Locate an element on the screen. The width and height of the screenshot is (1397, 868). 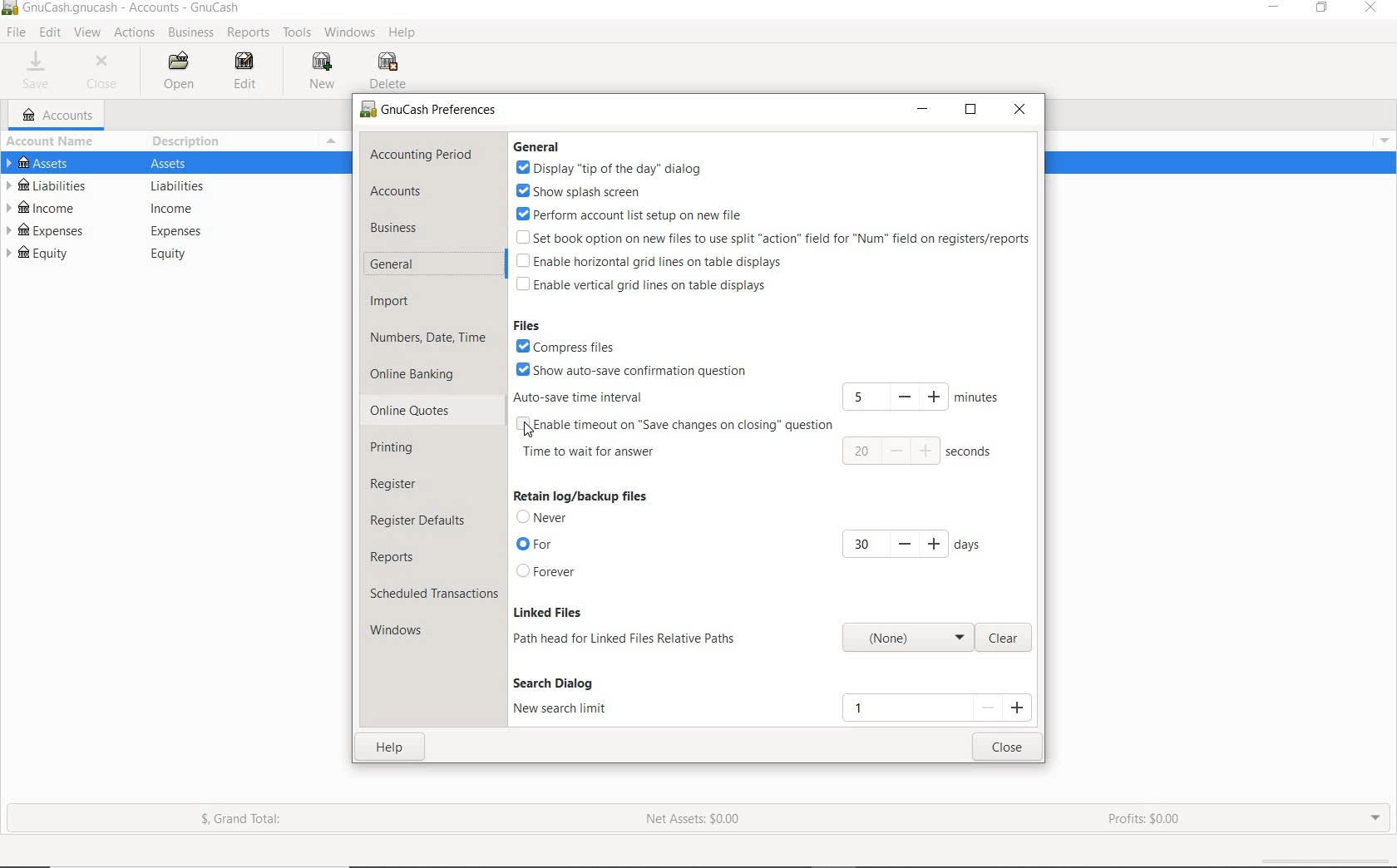
TOOLS is located at coordinates (297, 33).